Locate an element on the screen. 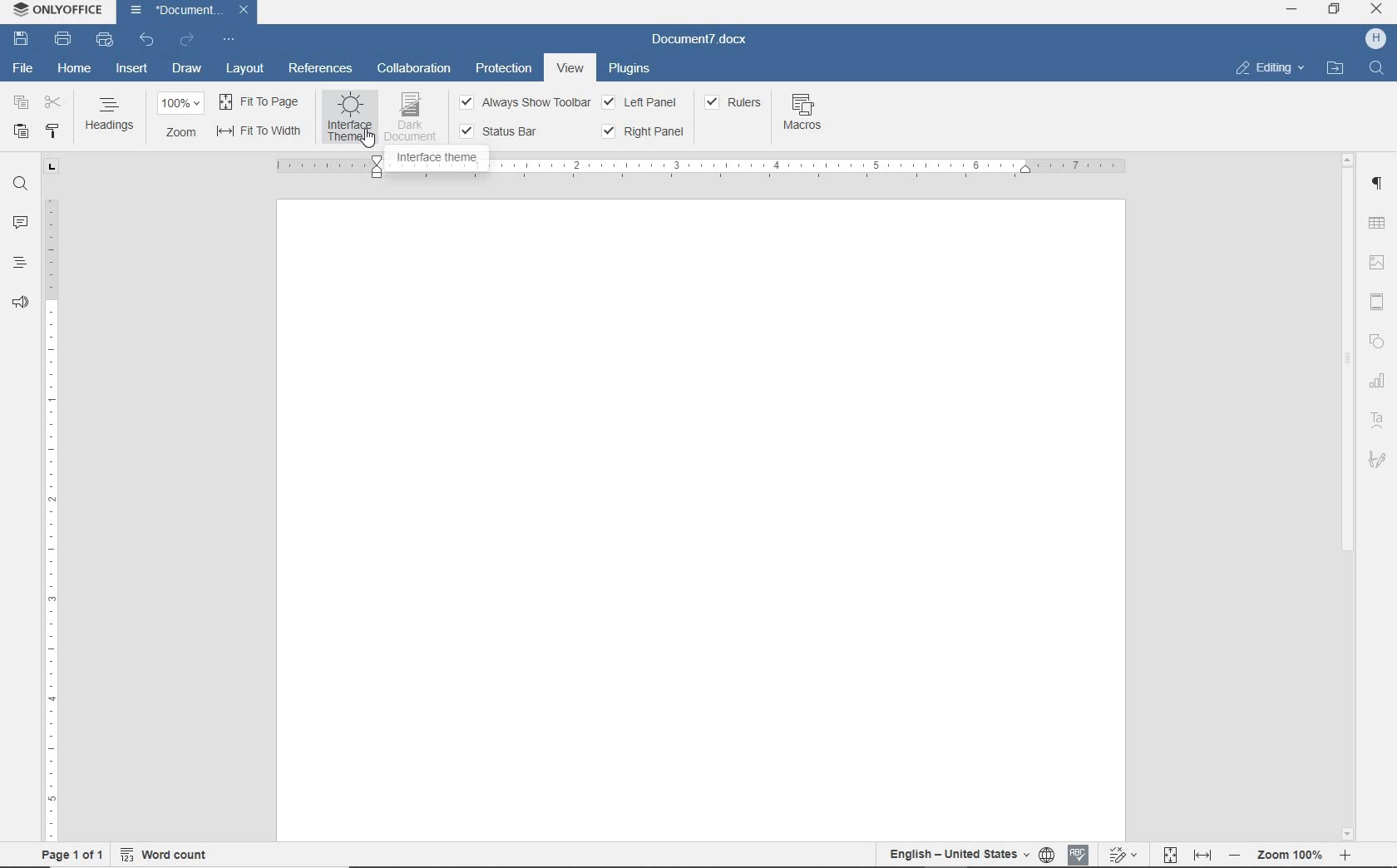  PLUGINS is located at coordinates (635, 71).